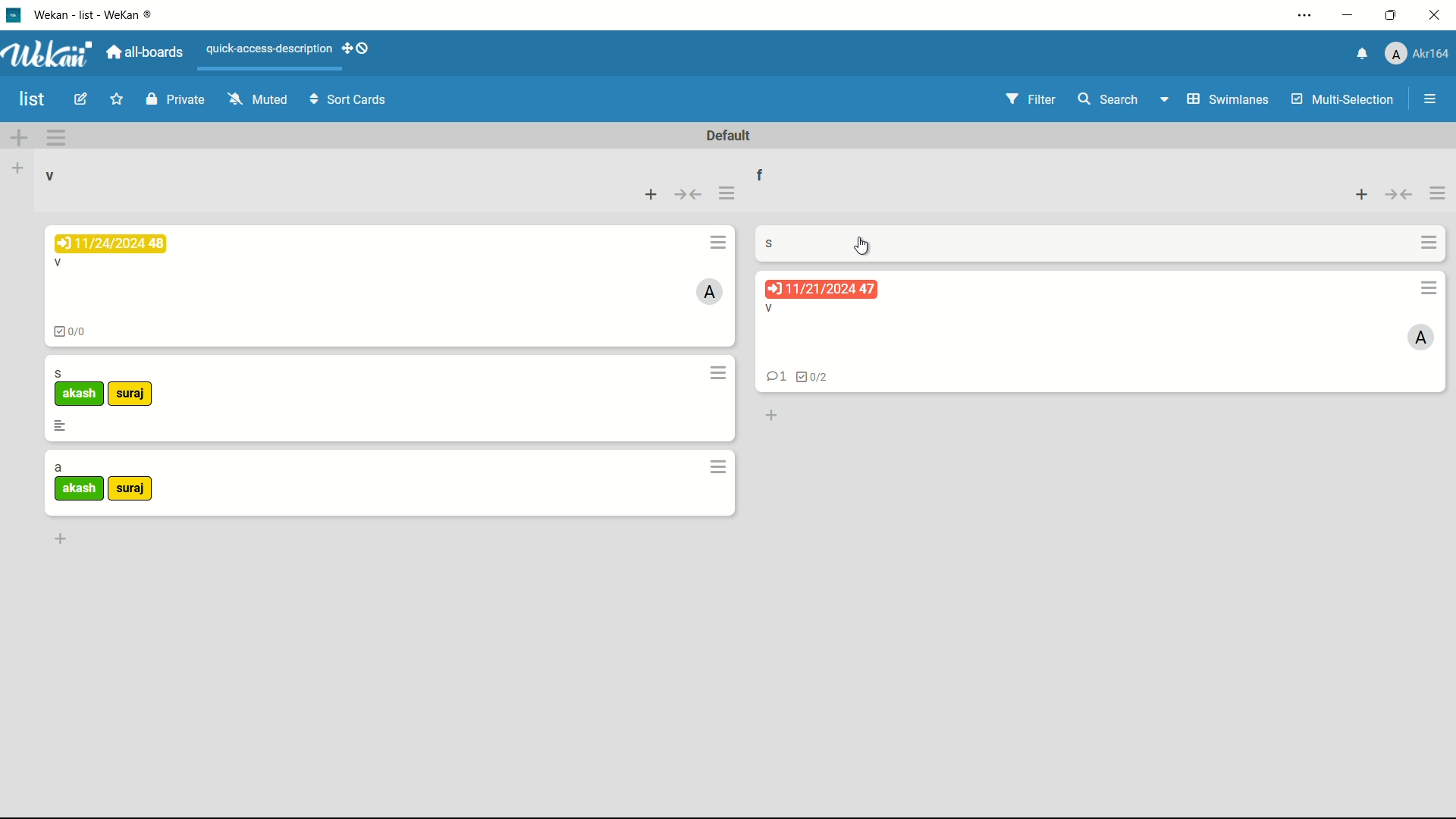  Describe the element at coordinates (15, 15) in the screenshot. I see `app icon` at that location.